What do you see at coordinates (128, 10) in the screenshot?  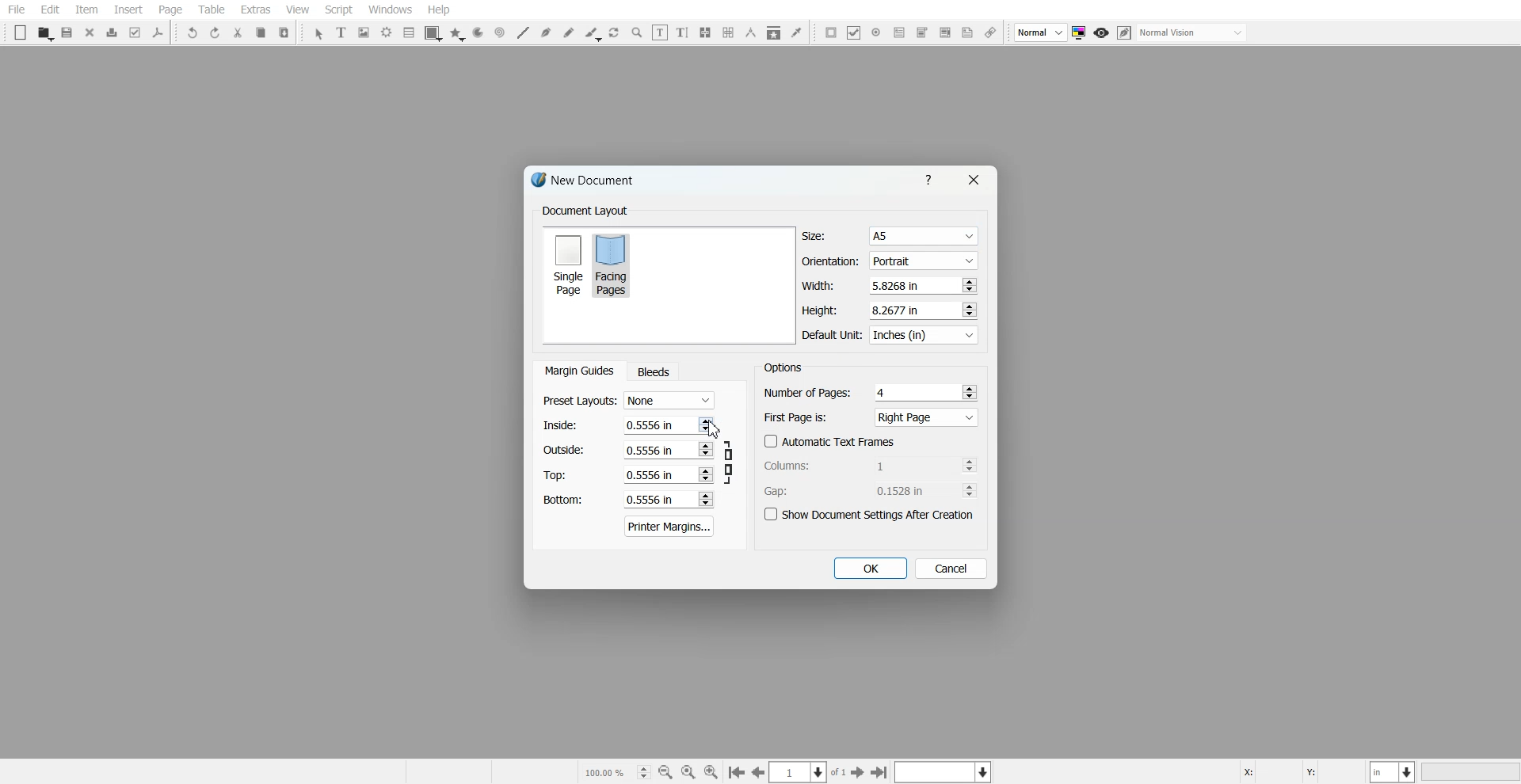 I see `Insert` at bounding box center [128, 10].